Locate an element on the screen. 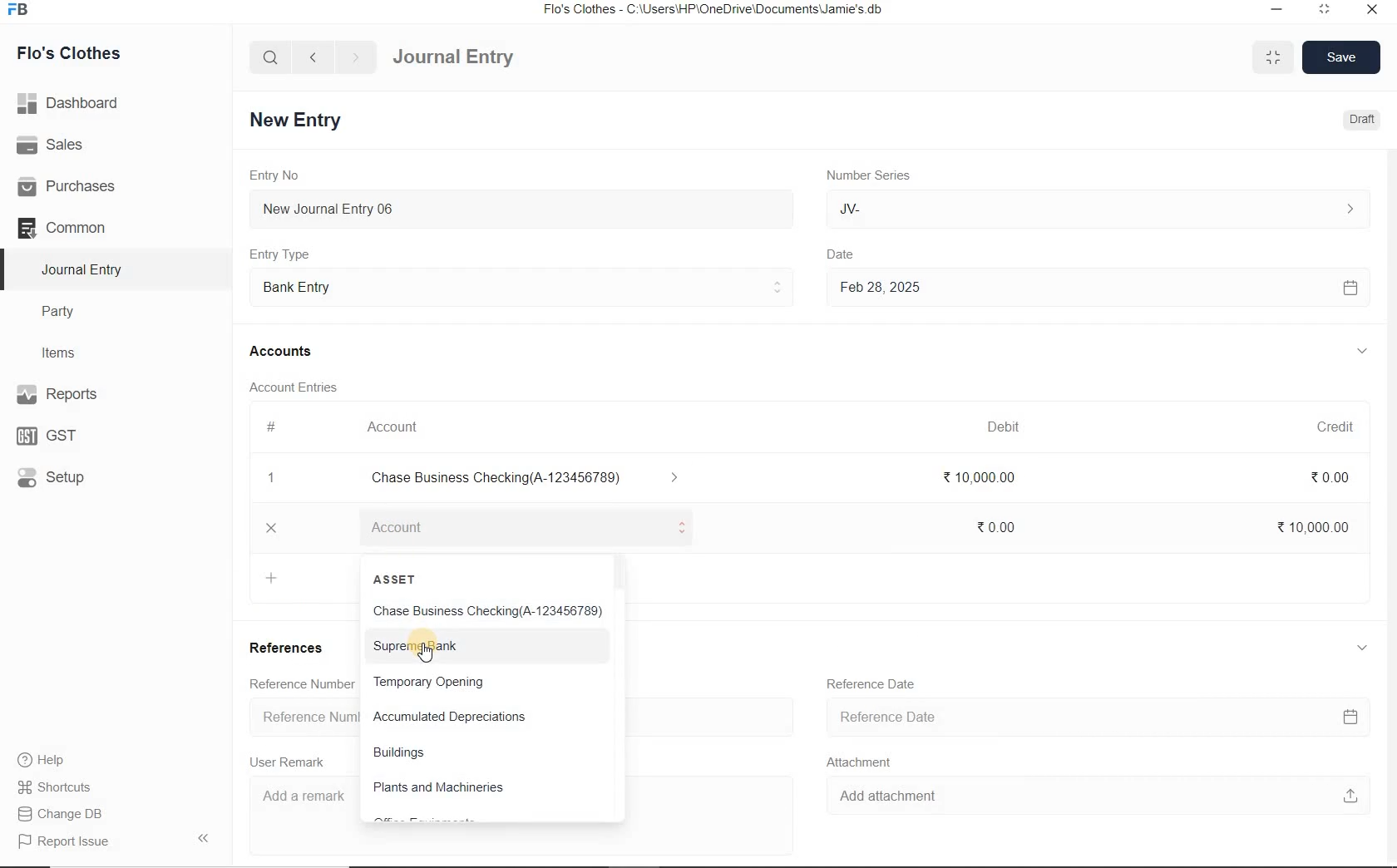 The width and height of the screenshot is (1397, 868). Setup is located at coordinates (67, 476).